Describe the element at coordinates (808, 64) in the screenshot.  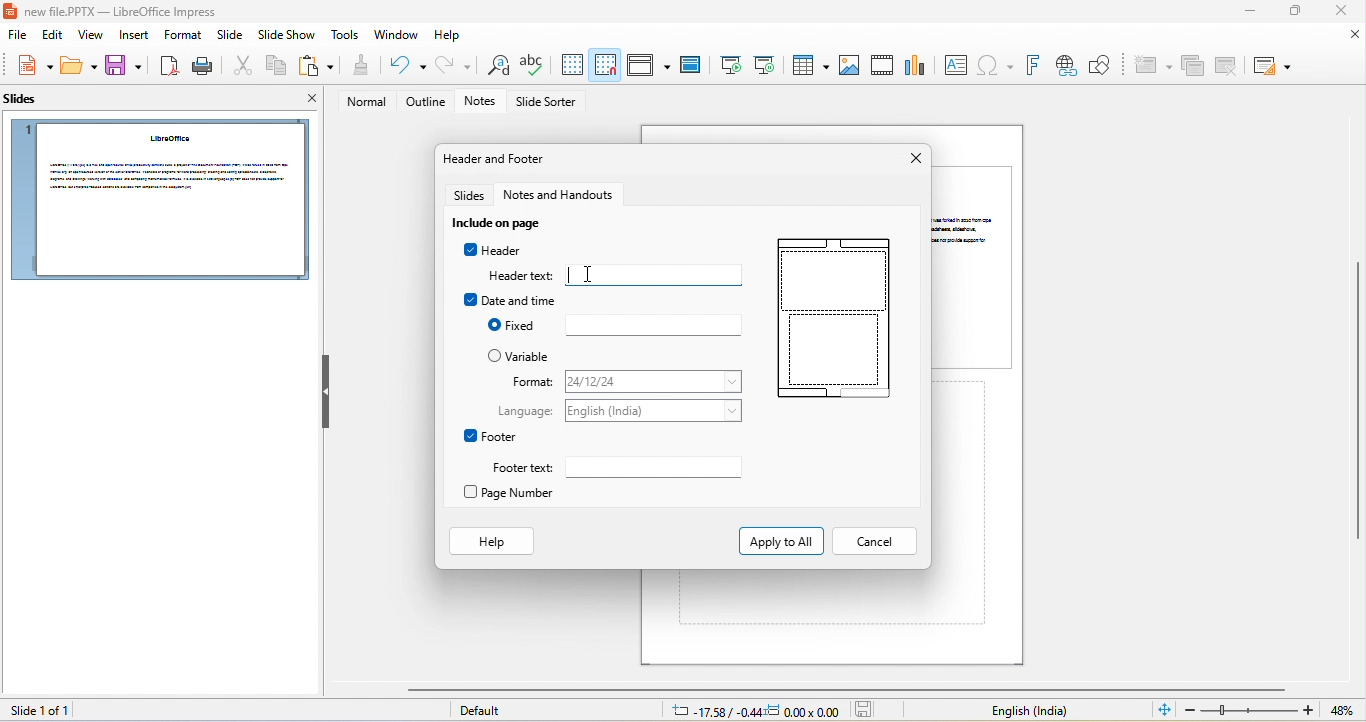
I see `table` at that location.